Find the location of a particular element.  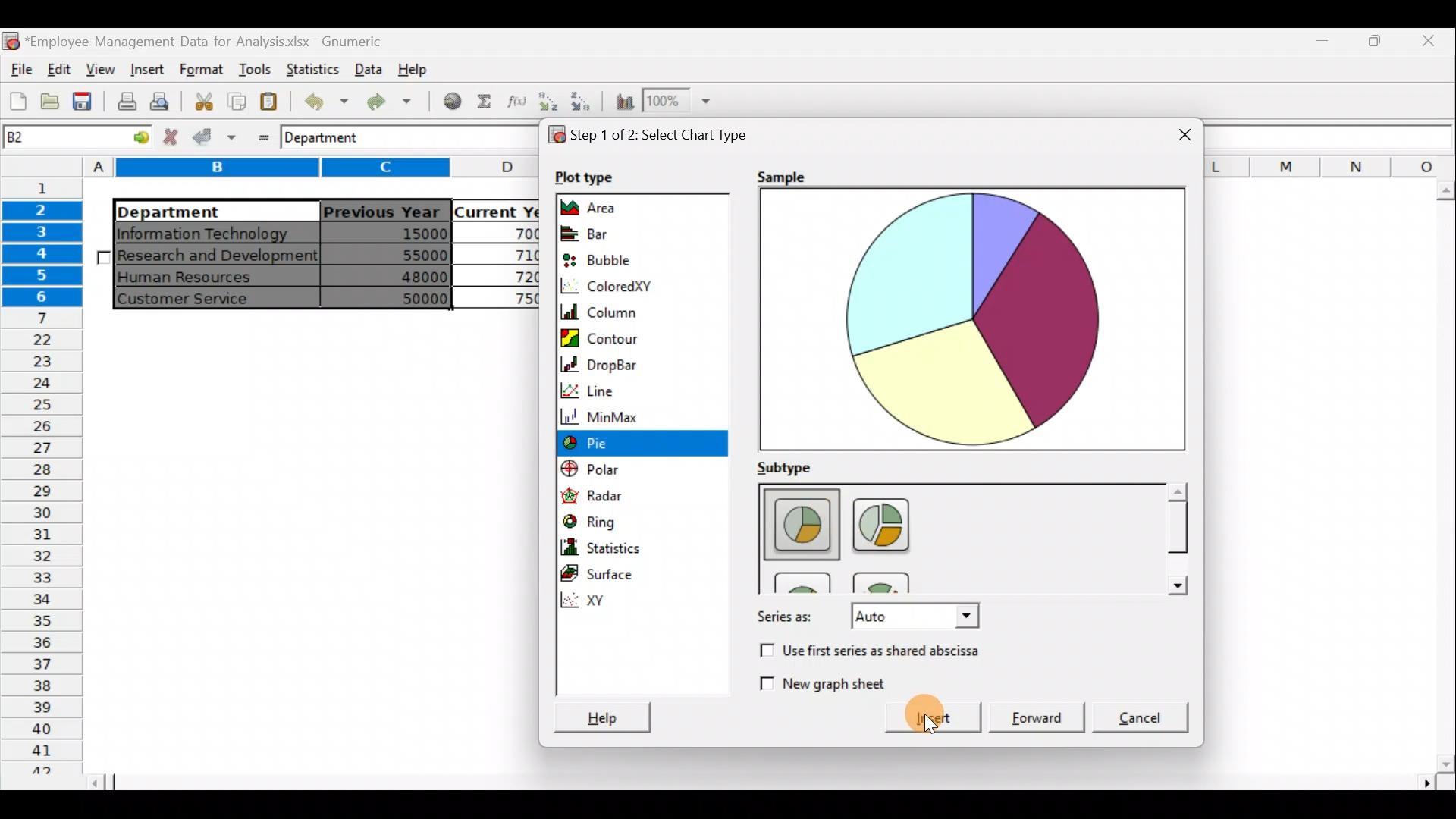

Close is located at coordinates (1429, 43).